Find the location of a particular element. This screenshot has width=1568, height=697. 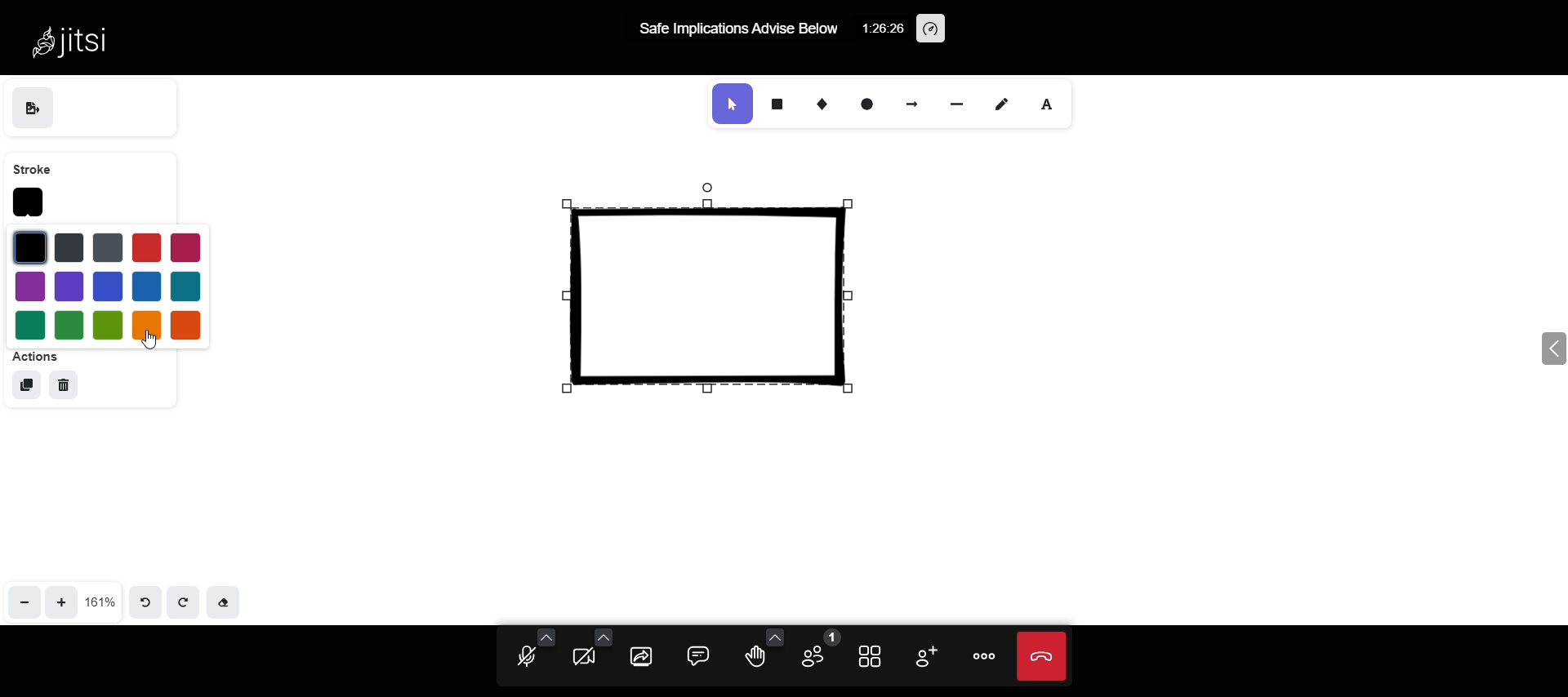

black is located at coordinates (27, 244).